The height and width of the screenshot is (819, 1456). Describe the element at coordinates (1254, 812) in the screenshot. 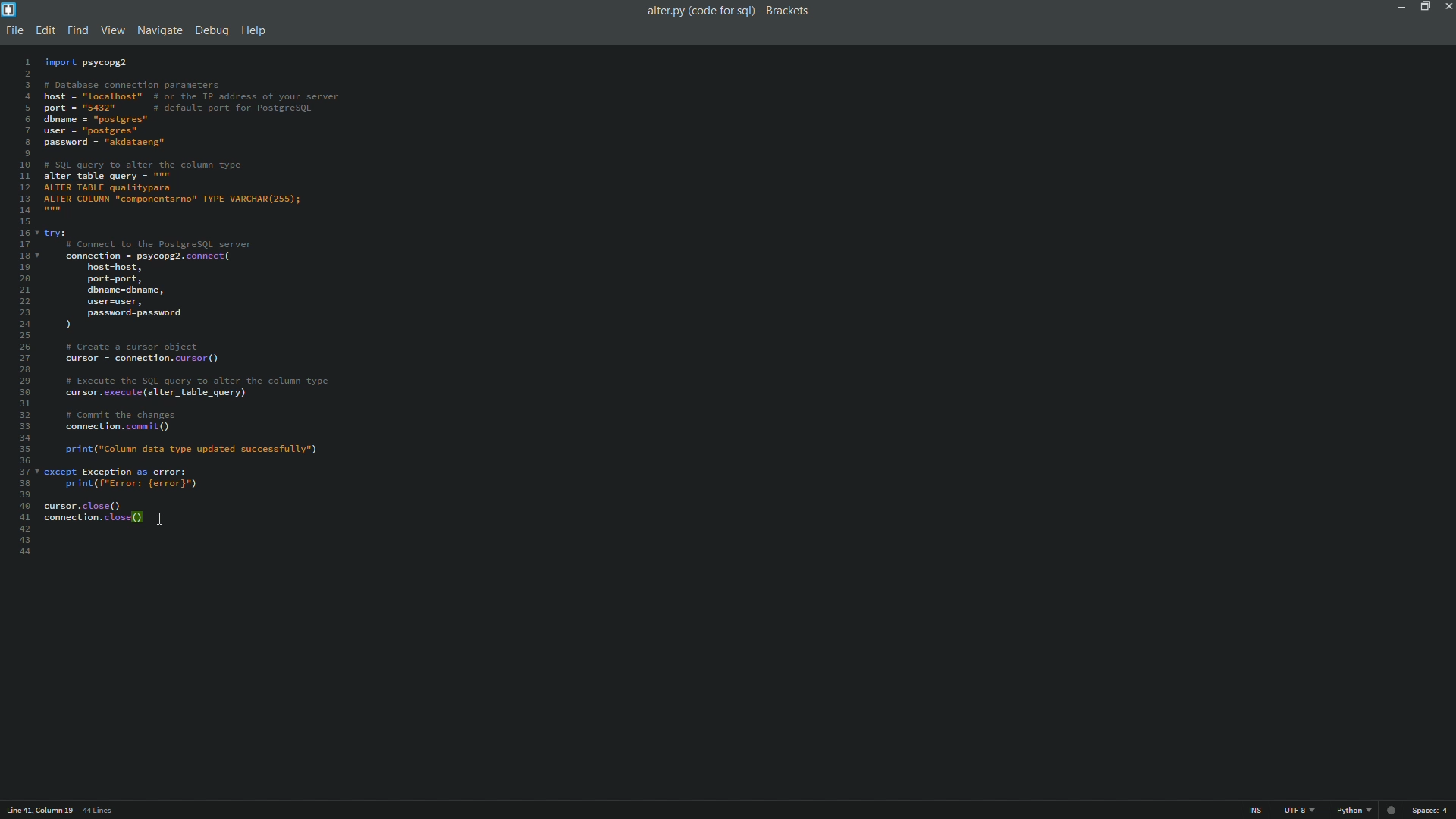

I see `ins` at that location.